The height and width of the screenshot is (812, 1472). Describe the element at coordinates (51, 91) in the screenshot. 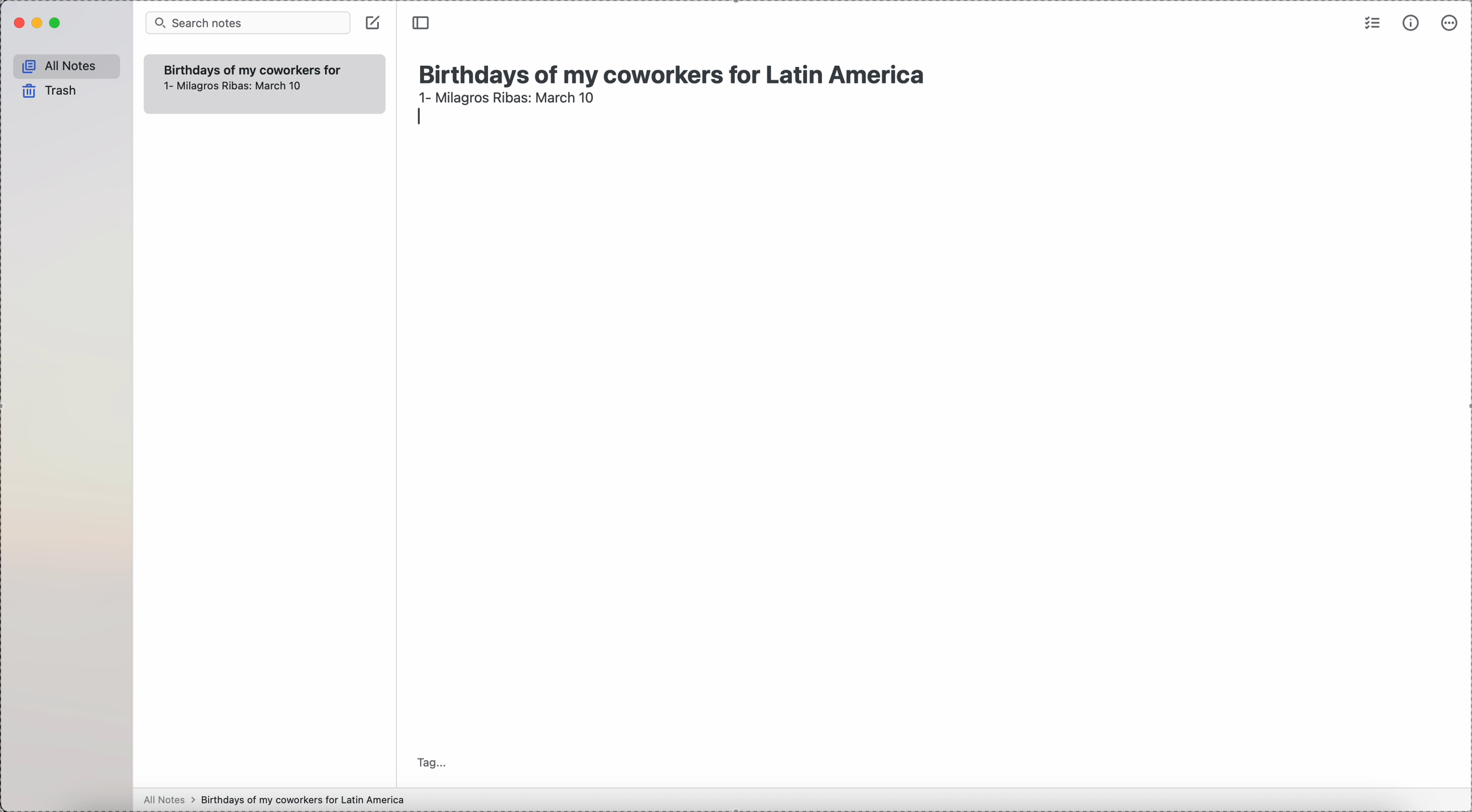

I see `trash` at that location.